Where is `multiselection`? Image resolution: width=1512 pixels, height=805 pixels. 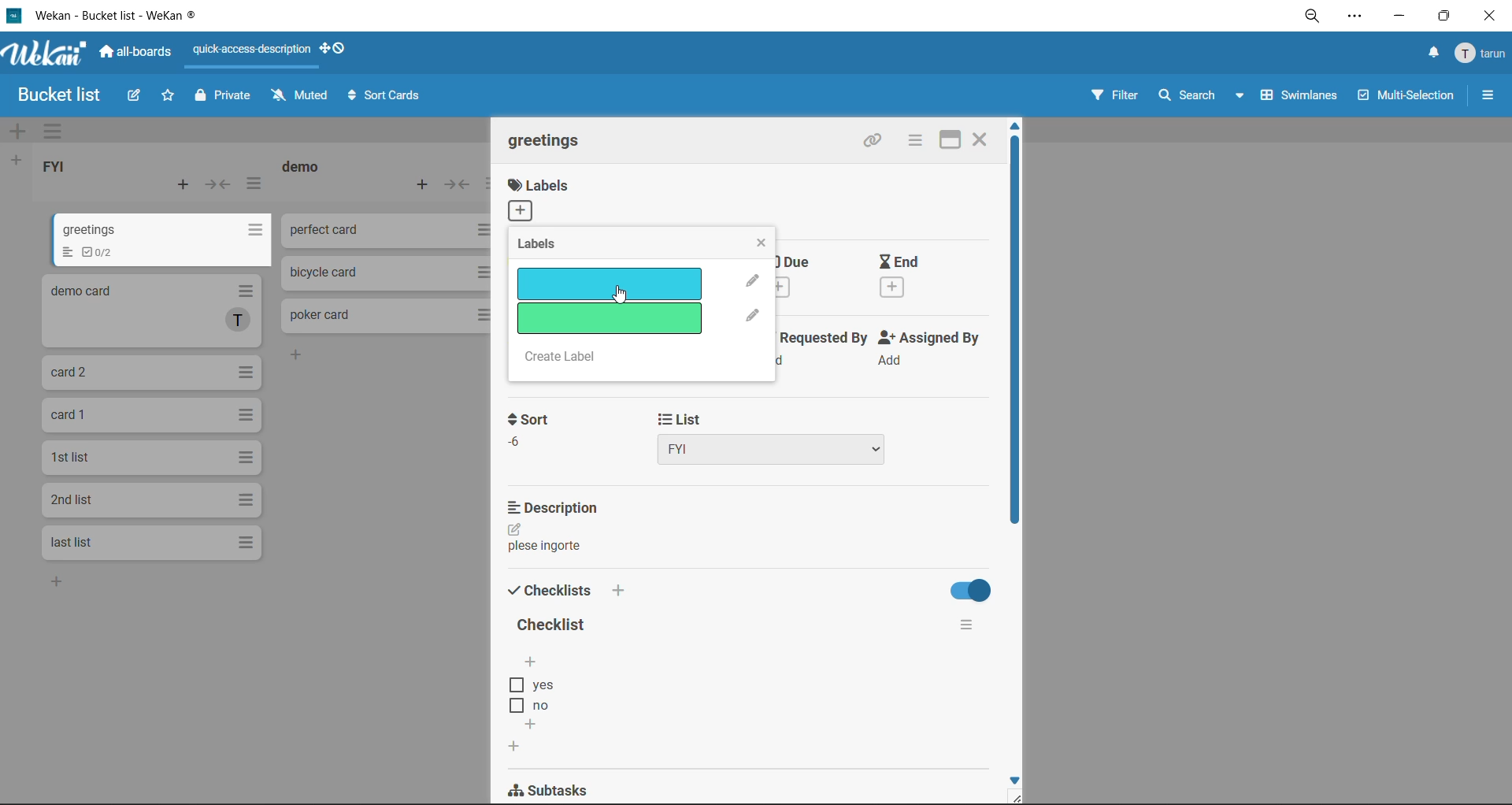 multiselection is located at coordinates (1403, 98).